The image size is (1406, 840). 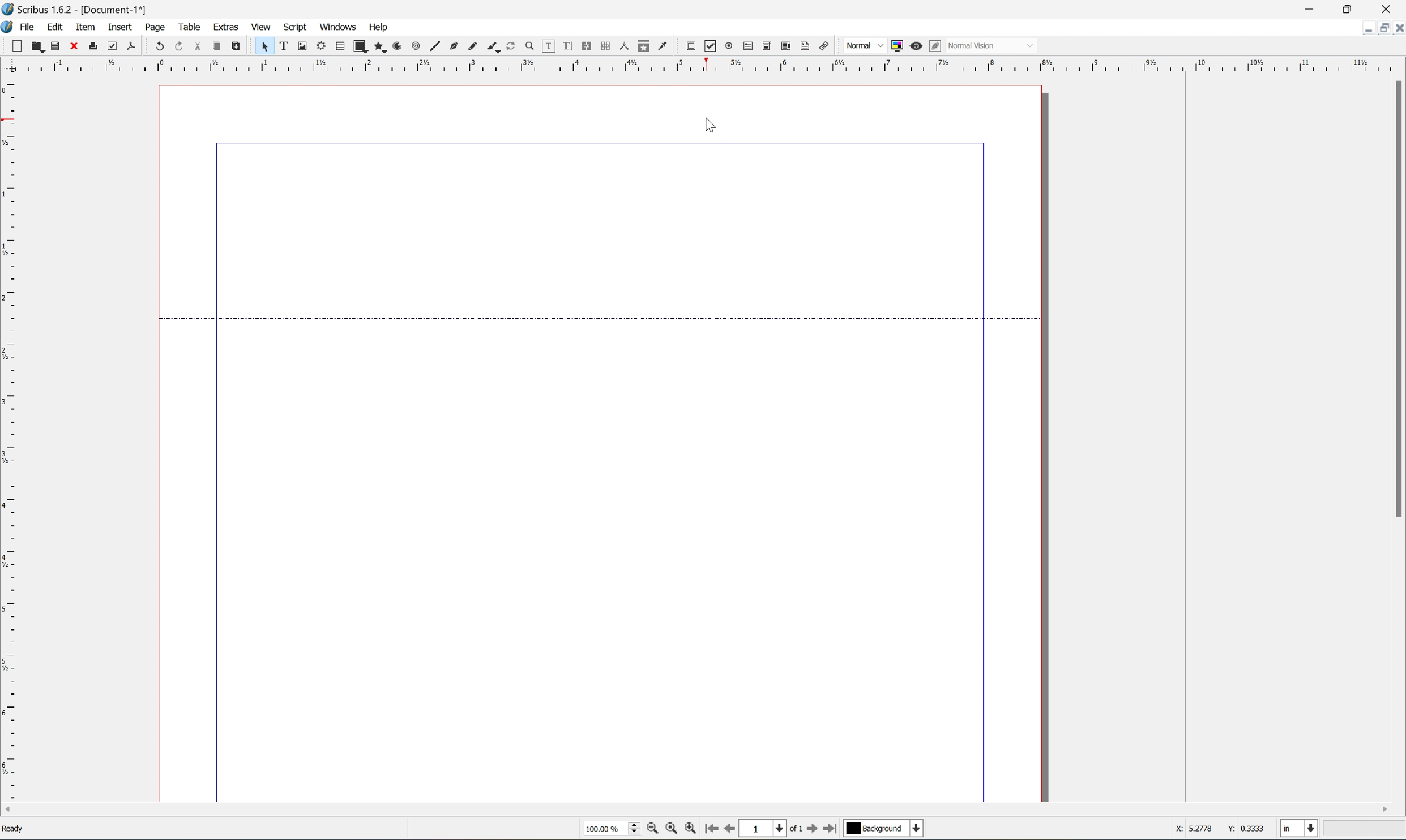 I want to click on zoom in, so click(x=694, y=831).